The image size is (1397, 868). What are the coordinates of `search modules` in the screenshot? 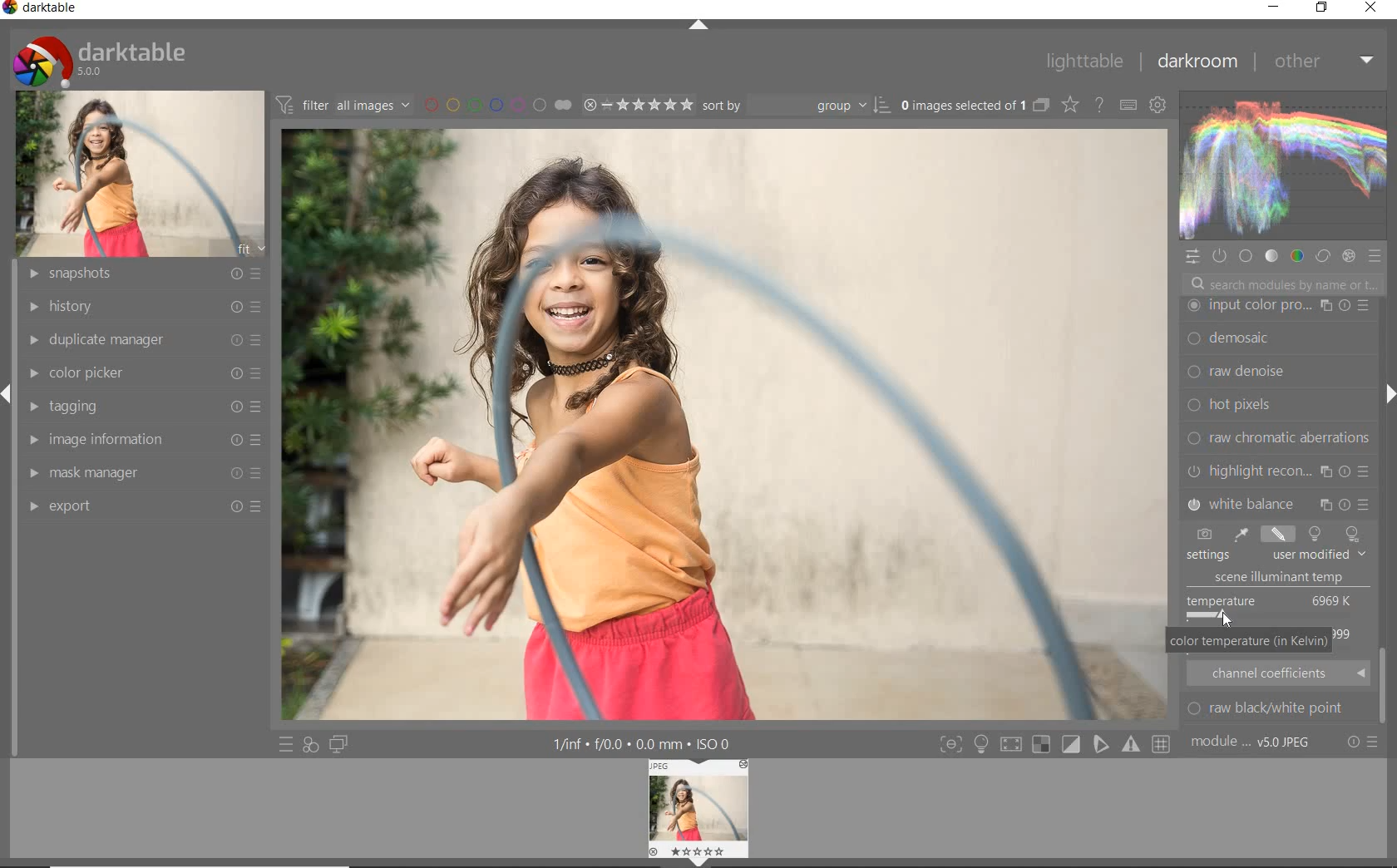 It's located at (1281, 286).